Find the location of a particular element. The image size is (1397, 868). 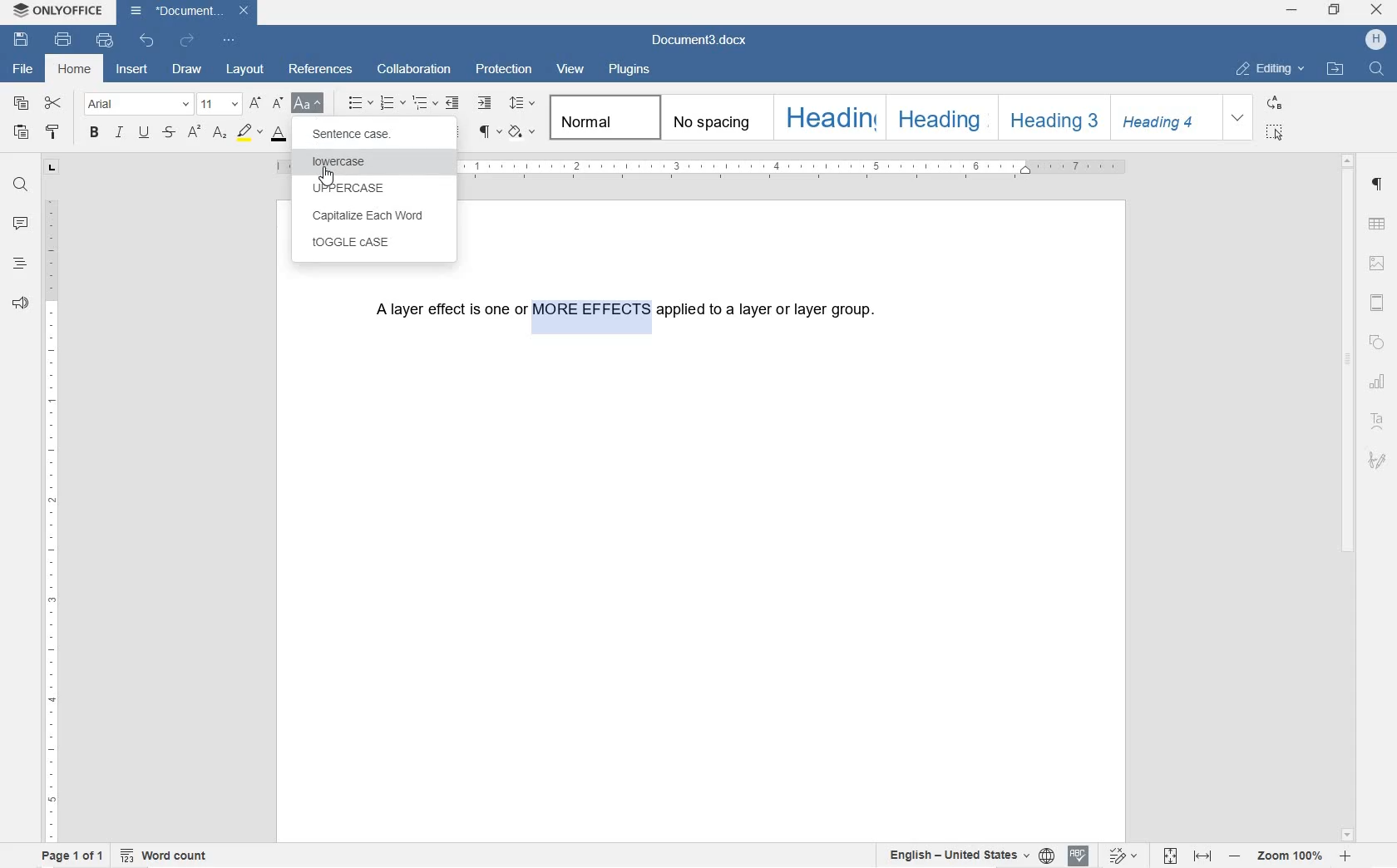

MINIMIZE is located at coordinates (1294, 11).